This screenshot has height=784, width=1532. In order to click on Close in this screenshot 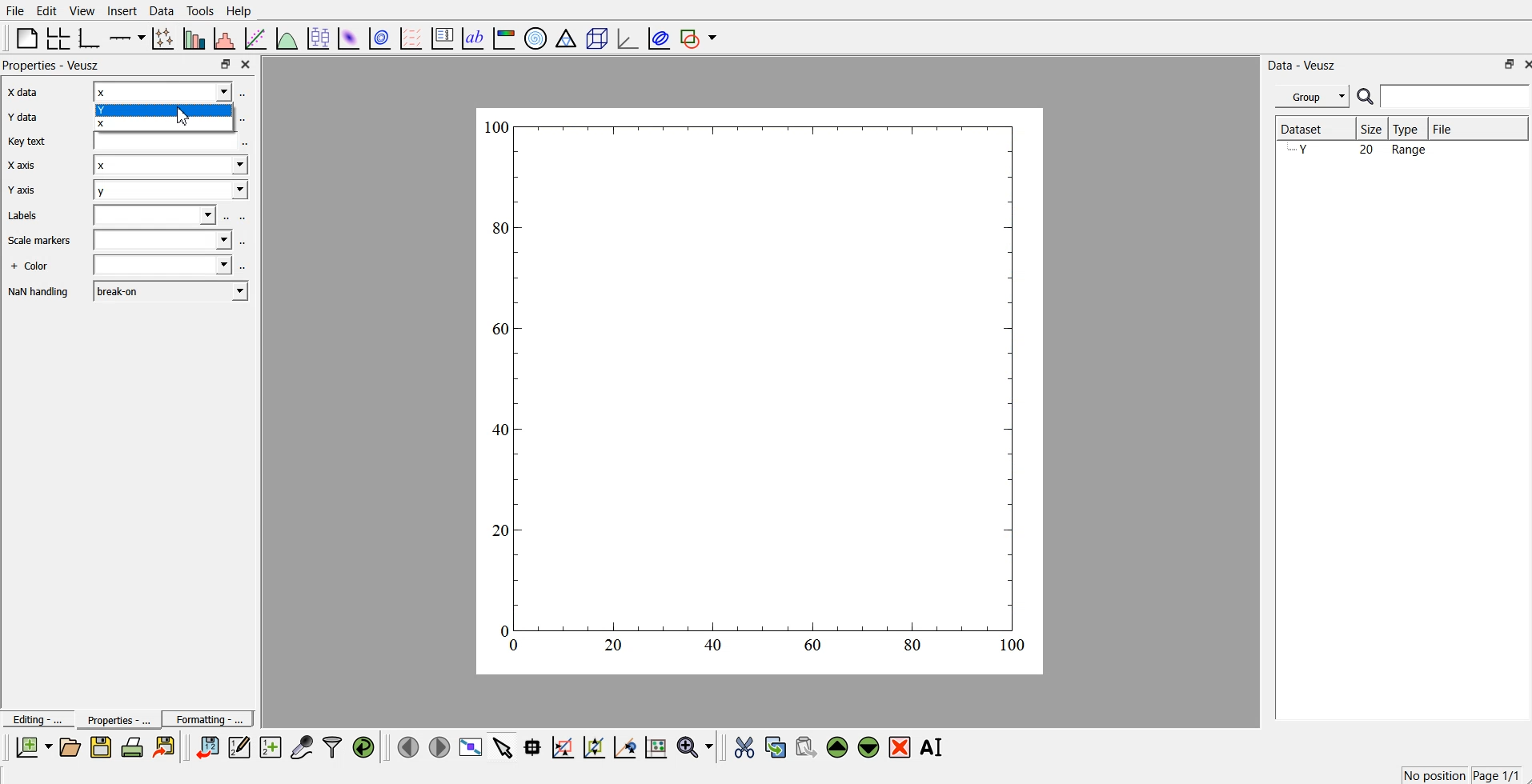, I will do `click(248, 66)`.